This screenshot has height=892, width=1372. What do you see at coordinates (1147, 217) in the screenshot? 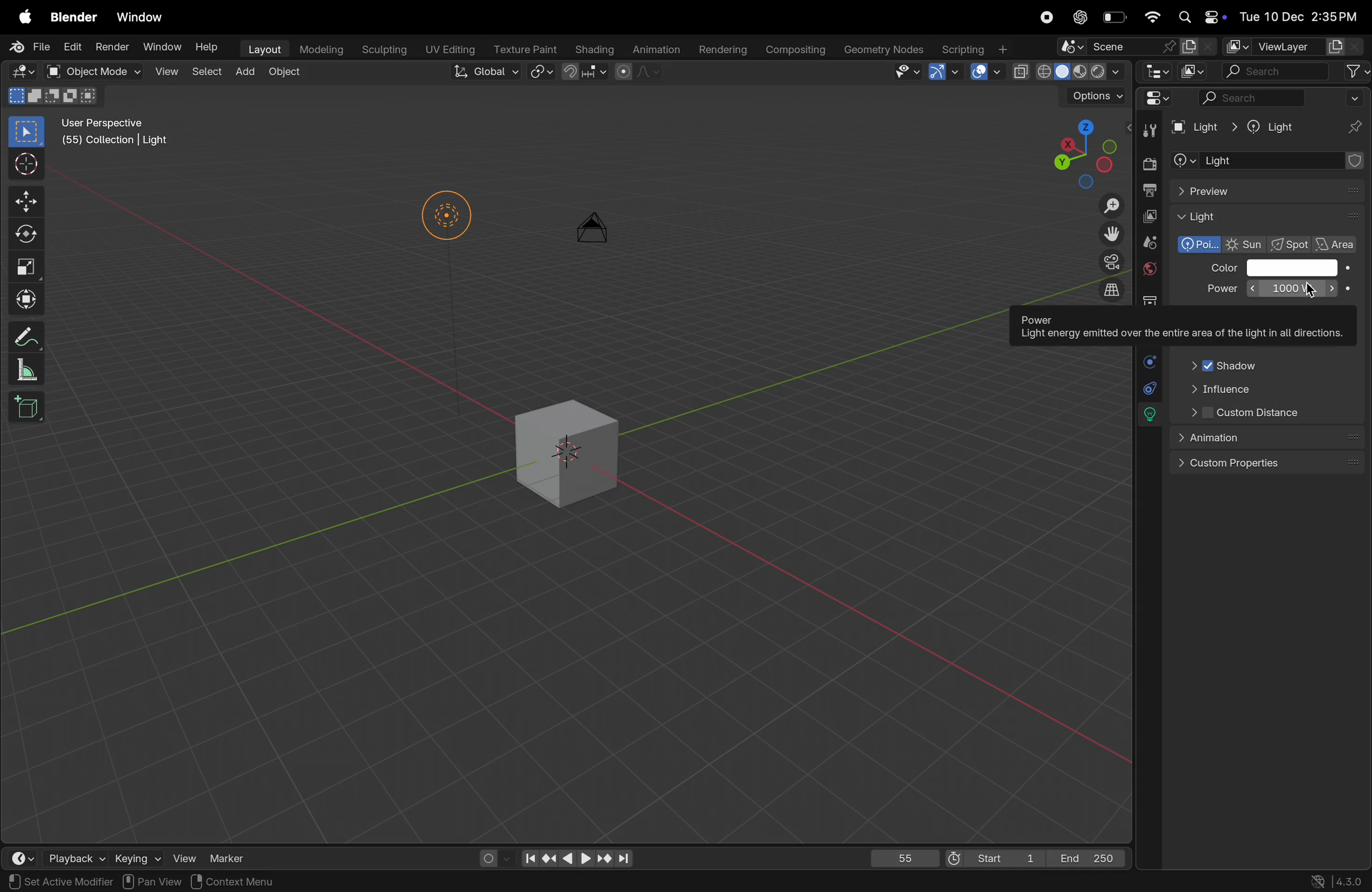
I see `view layer` at bounding box center [1147, 217].